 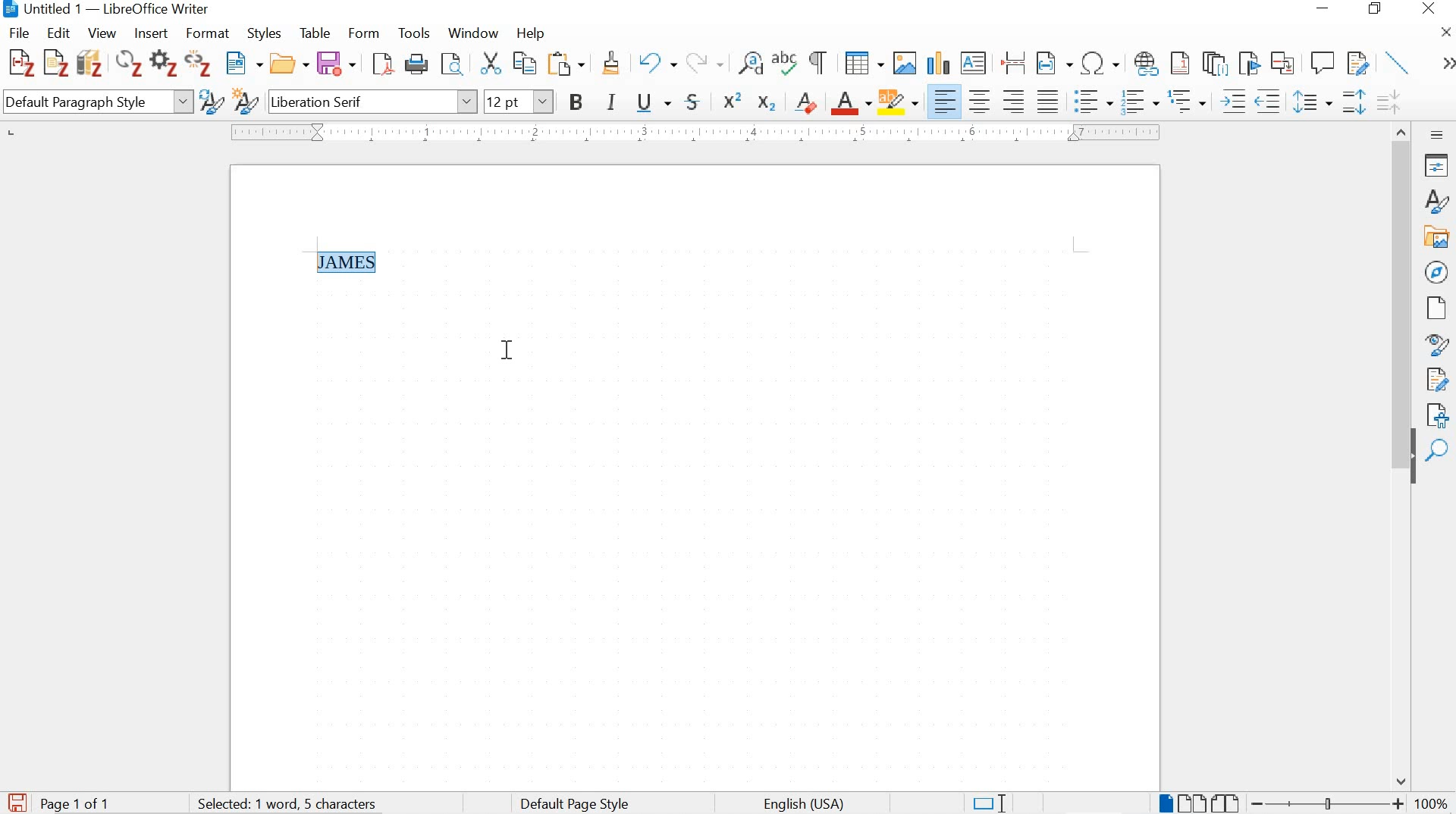 What do you see at coordinates (1432, 803) in the screenshot?
I see `zoom factor-100%` at bounding box center [1432, 803].